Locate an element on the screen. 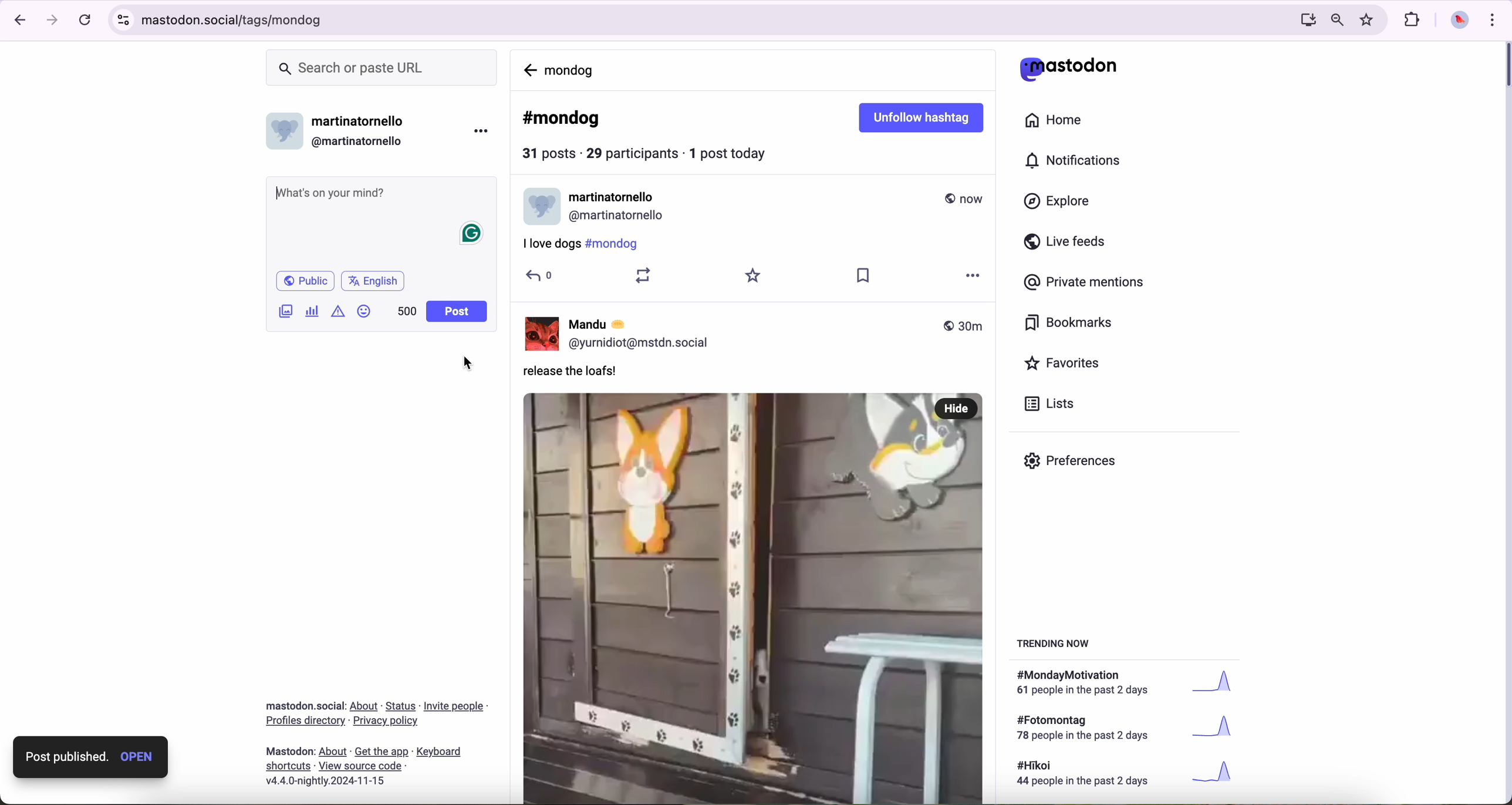 This screenshot has height=805, width=1512. search bar is located at coordinates (384, 68).